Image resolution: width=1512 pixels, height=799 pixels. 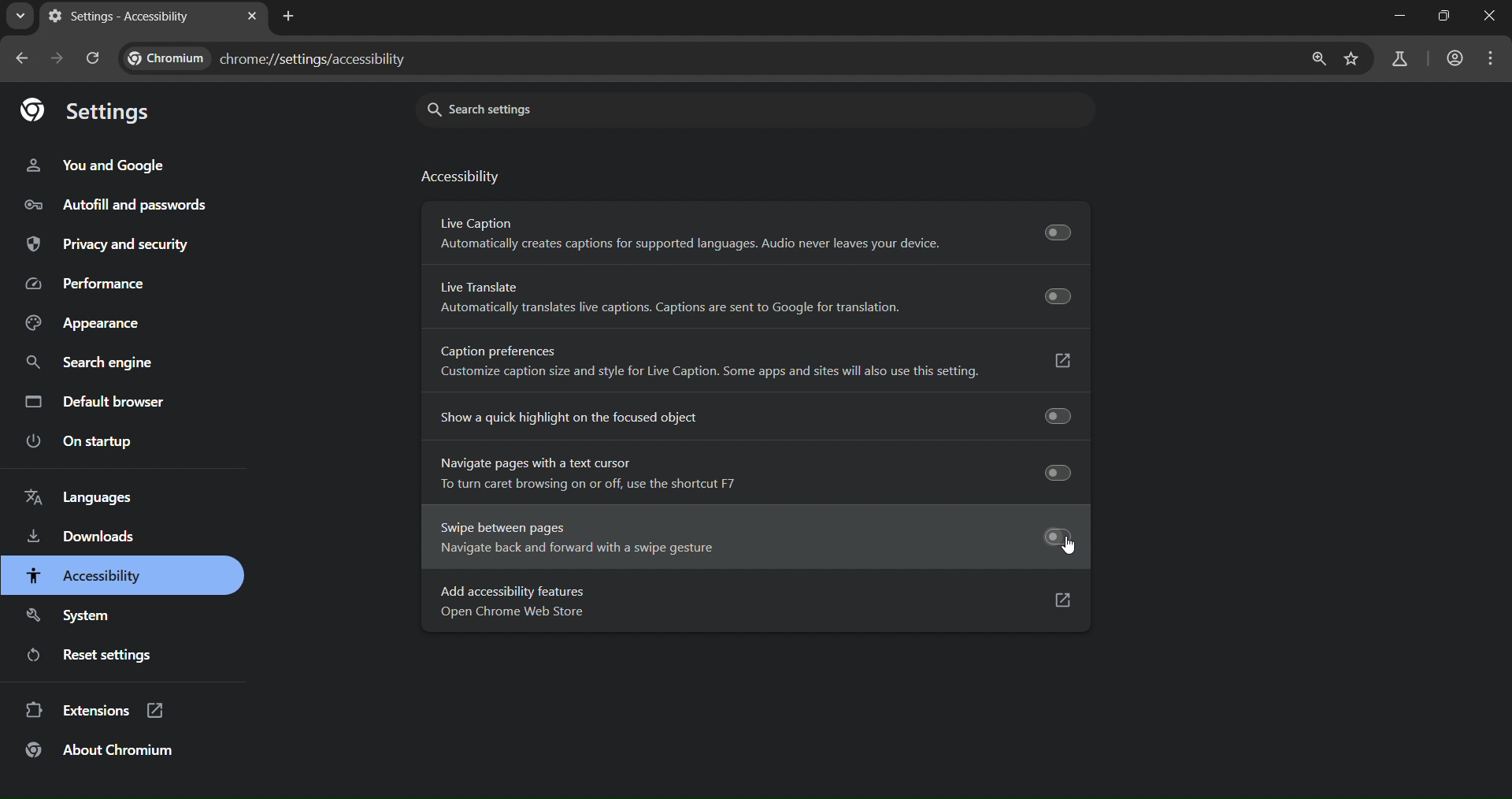 What do you see at coordinates (758, 297) in the screenshot?
I see `Live Translate
Automatically translates live captions. Captions are sent to Google for translation.` at bounding box center [758, 297].